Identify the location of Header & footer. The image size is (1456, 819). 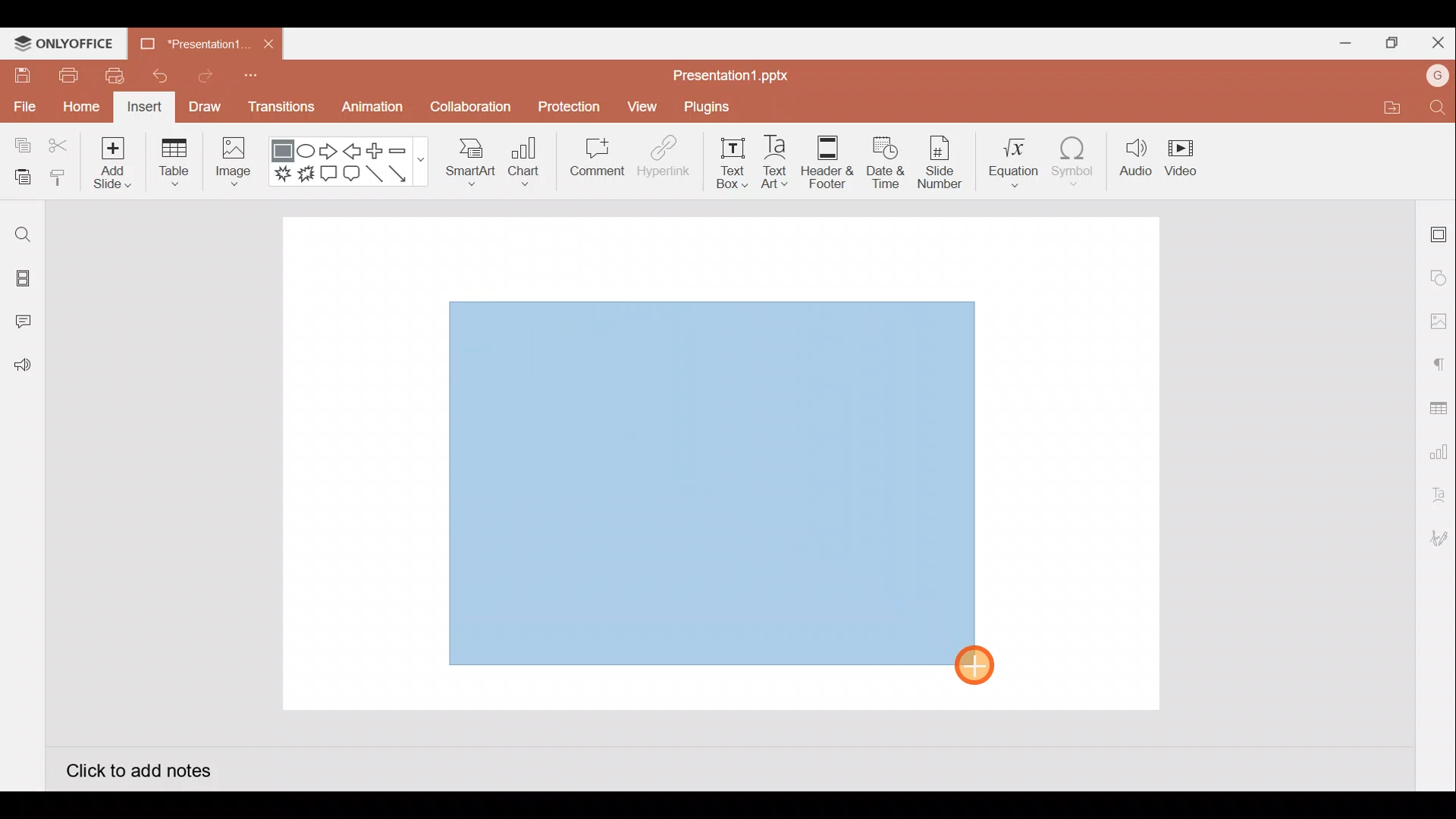
(828, 158).